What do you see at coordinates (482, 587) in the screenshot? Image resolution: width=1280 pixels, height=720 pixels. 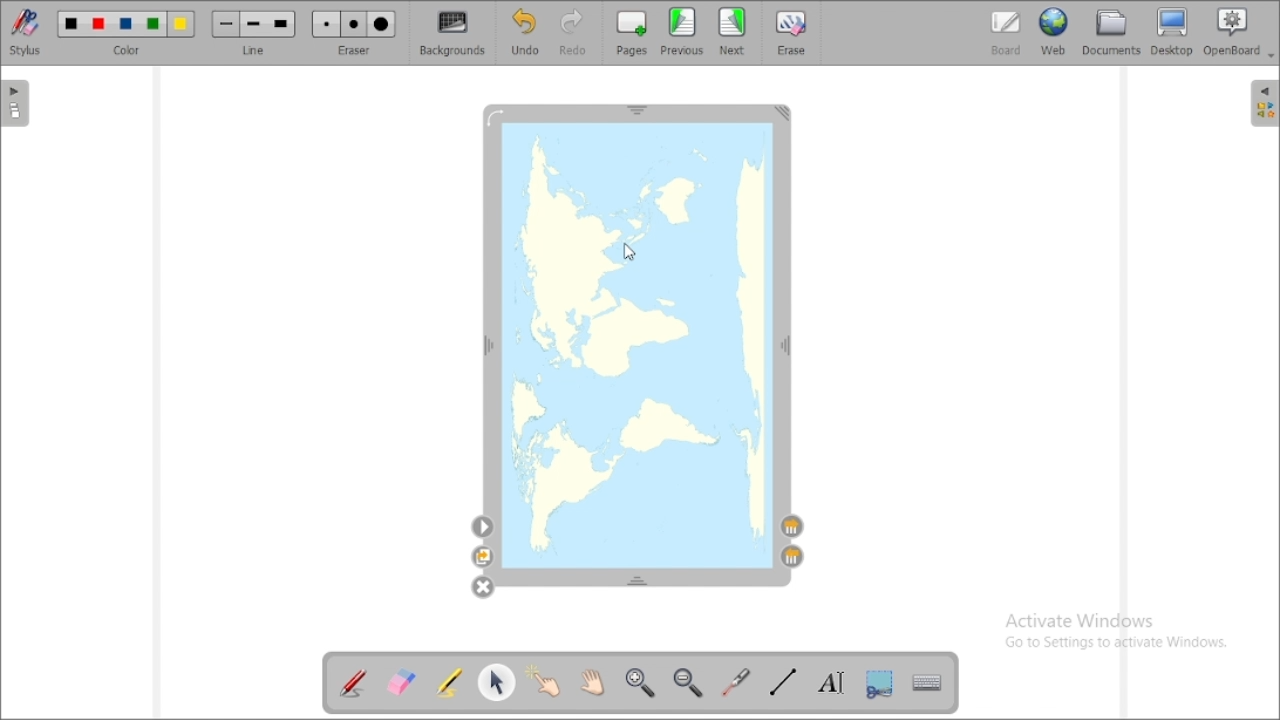 I see `delete` at bounding box center [482, 587].